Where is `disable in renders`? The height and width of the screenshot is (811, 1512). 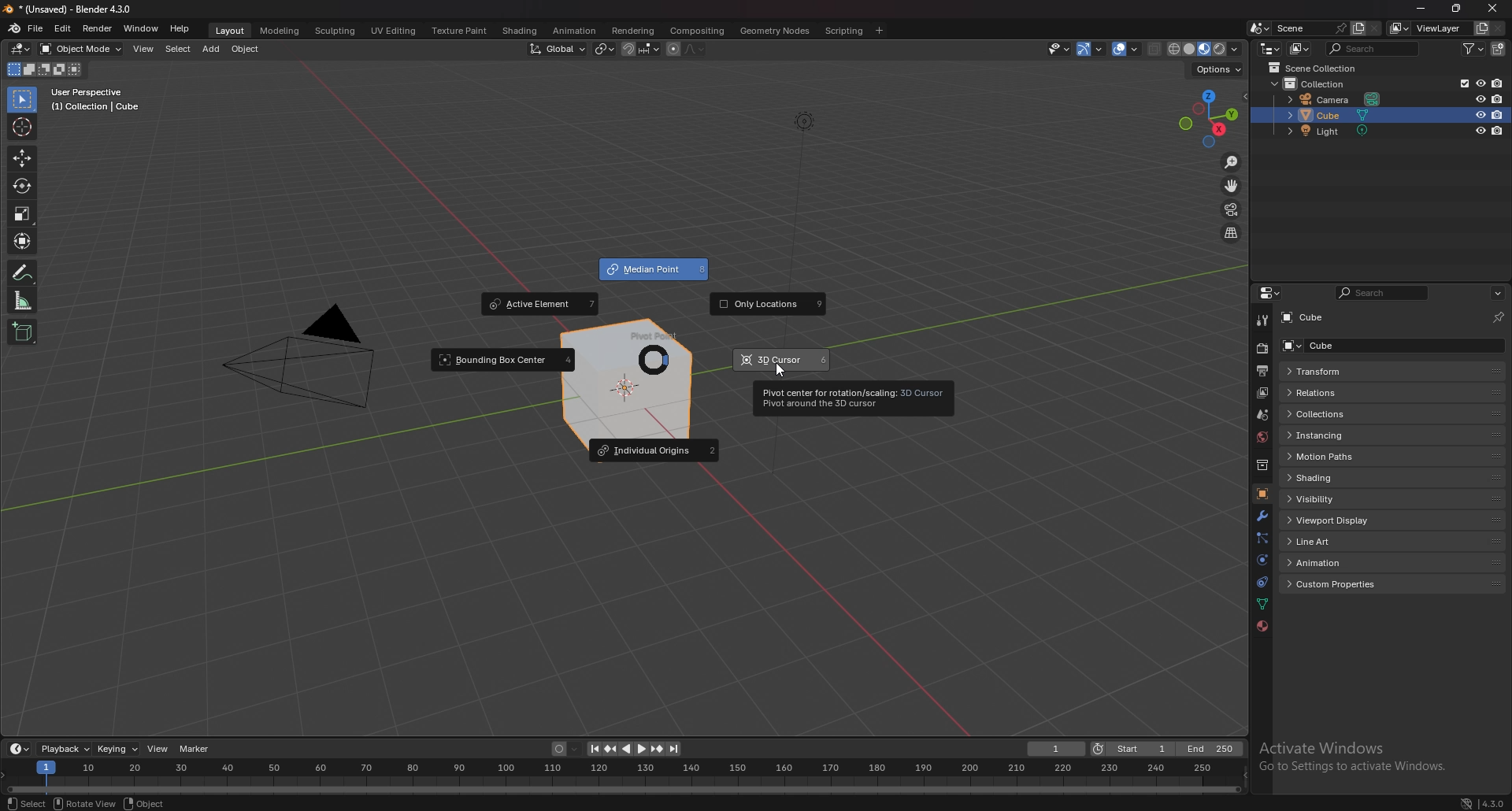
disable in renders is located at coordinates (1498, 83).